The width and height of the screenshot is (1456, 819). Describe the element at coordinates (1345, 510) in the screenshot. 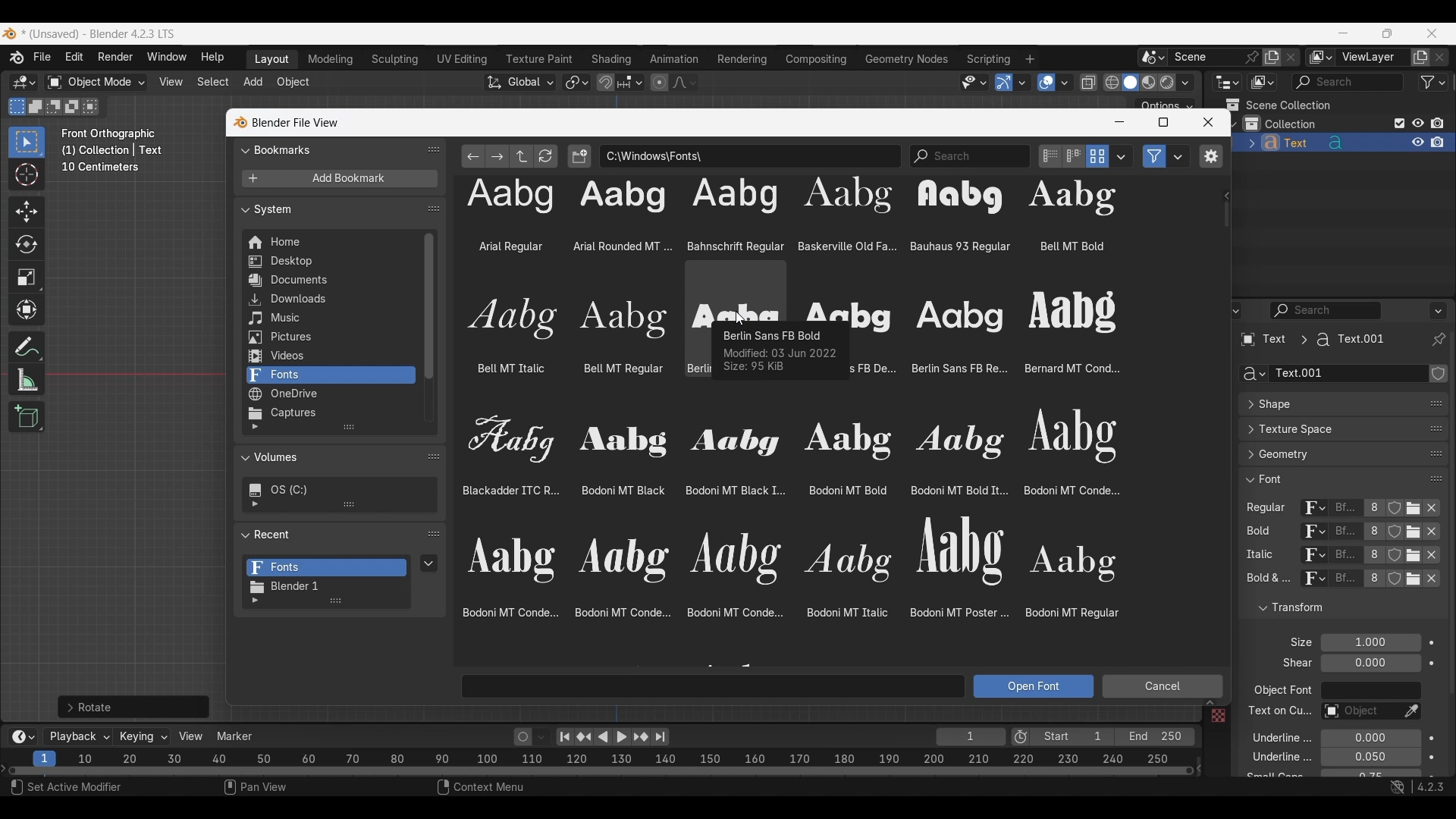

I see `Name of current font of each attribute` at that location.